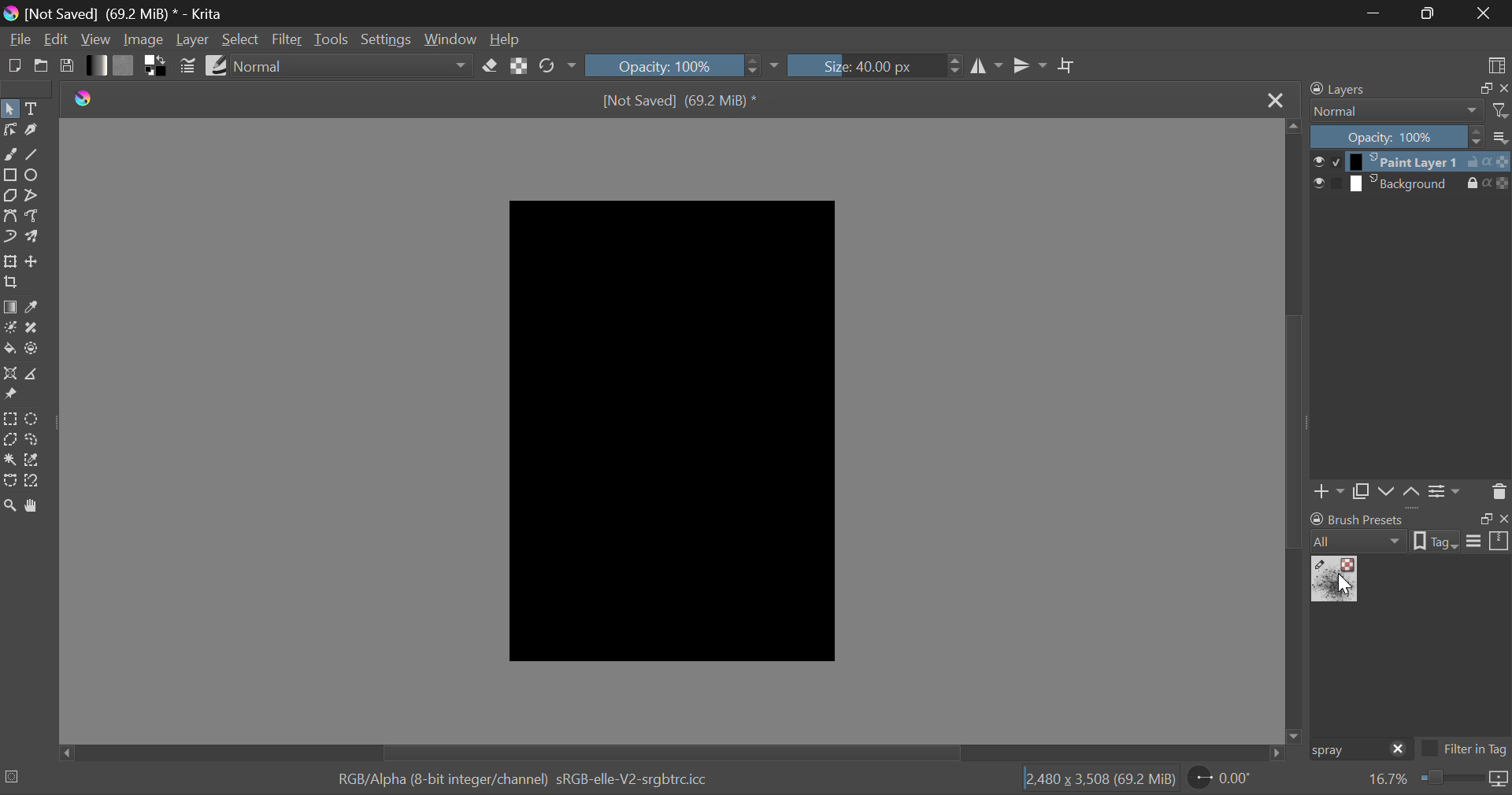 The width and height of the screenshot is (1512, 795). Describe the element at coordinates (32, 235) in the screenshot. I see `Multibrush` at that location.